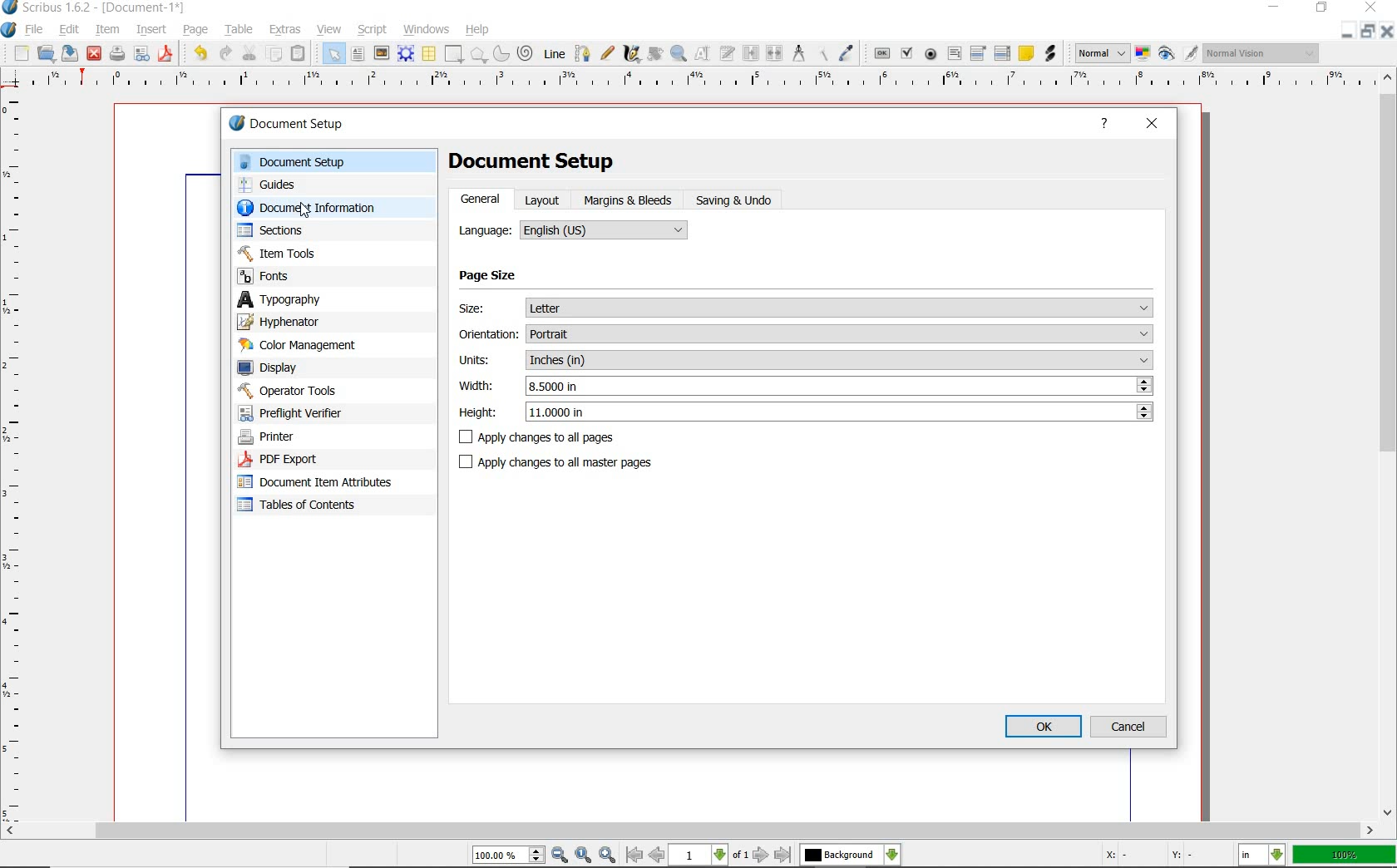 The width and height of the screenshot is (1397, 868). What do you see at coordinates (335, 53) in the screenshot?
I see `select` at bounding box center [335, 53].